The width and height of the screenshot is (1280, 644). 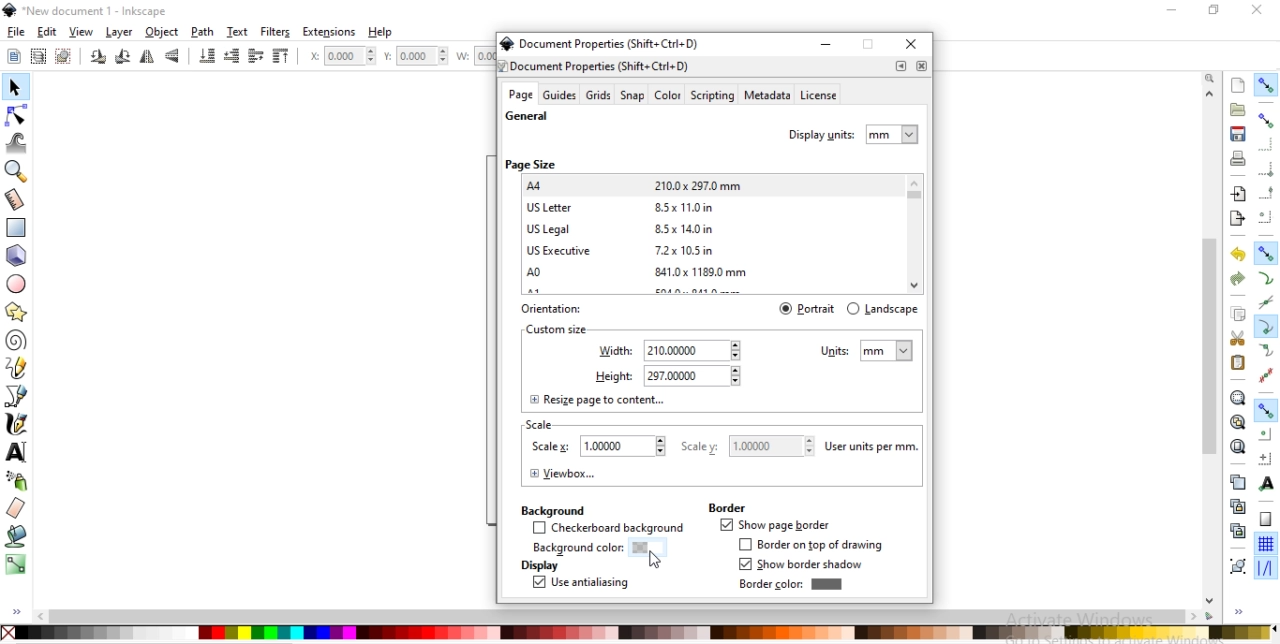 I want to click on create and edit gradients, so click(x=16, y=564).